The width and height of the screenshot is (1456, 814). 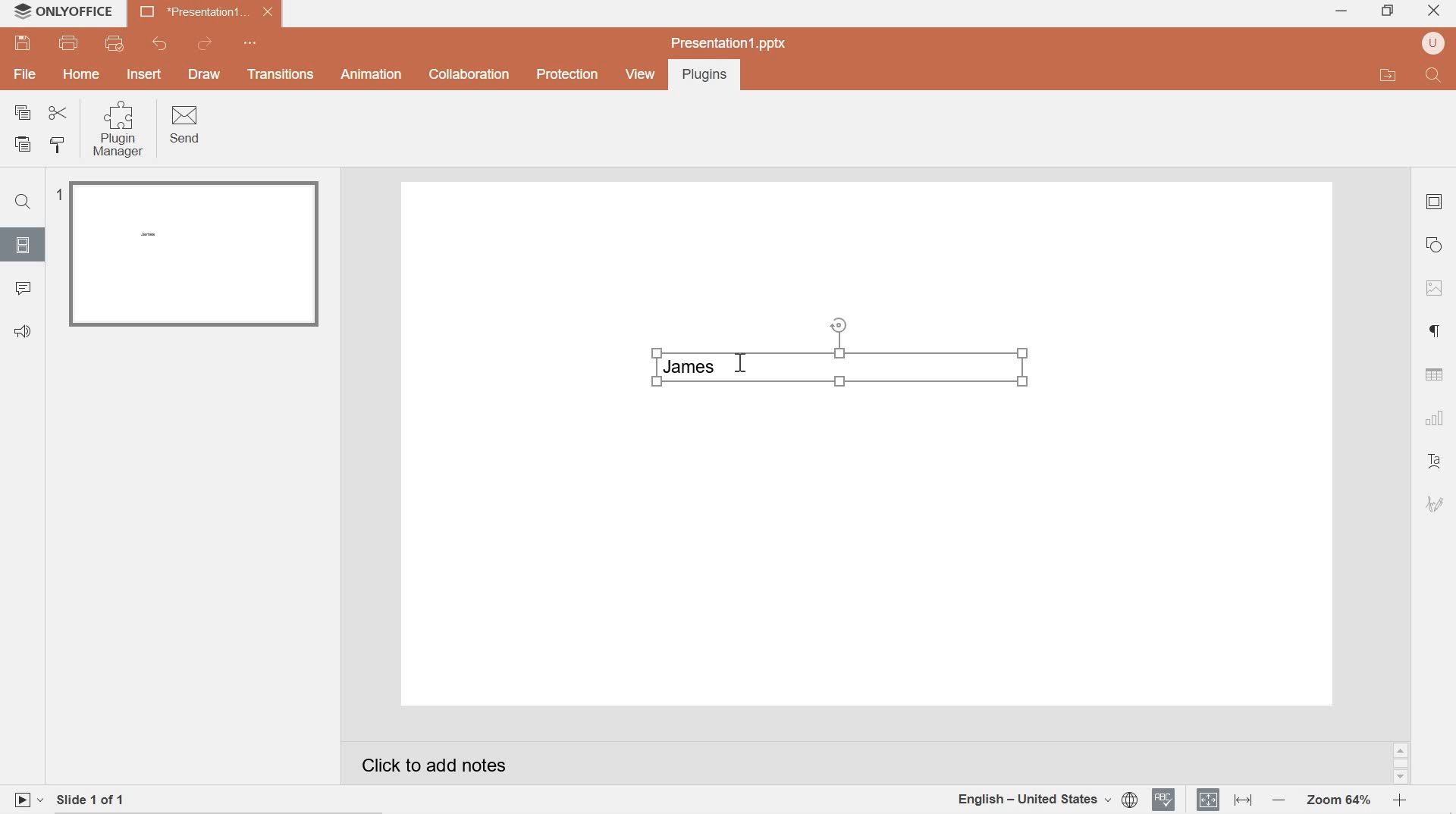 What do you see at coordinates (157, 44) in the screenshot?
I see `undo` at bounding box center [157, 44].